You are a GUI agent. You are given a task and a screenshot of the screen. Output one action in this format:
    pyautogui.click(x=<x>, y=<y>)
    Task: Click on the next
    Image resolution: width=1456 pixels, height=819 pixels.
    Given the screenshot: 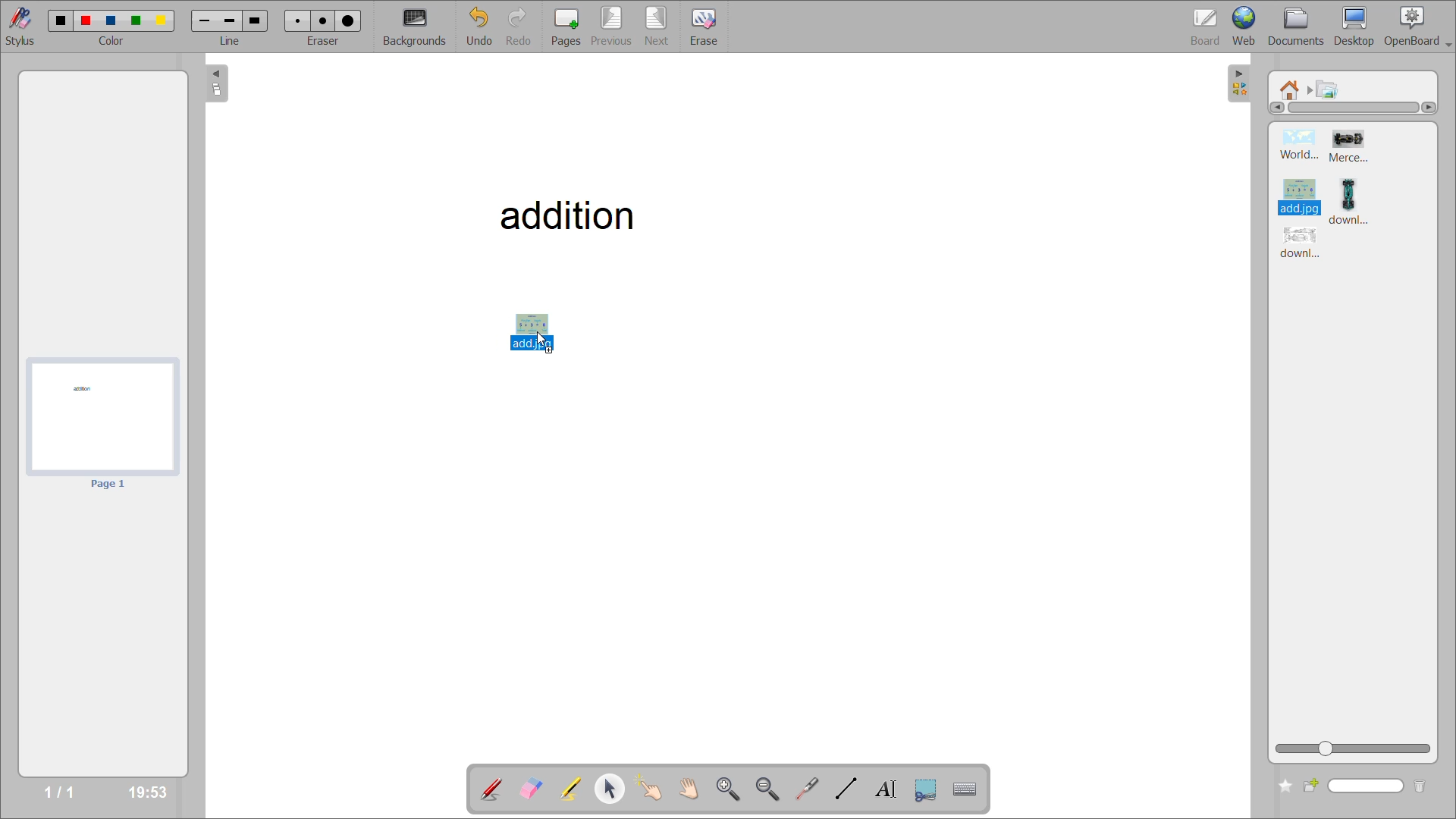 What is the action you would take?
    pyautogui.click(x=658, y=27)
    